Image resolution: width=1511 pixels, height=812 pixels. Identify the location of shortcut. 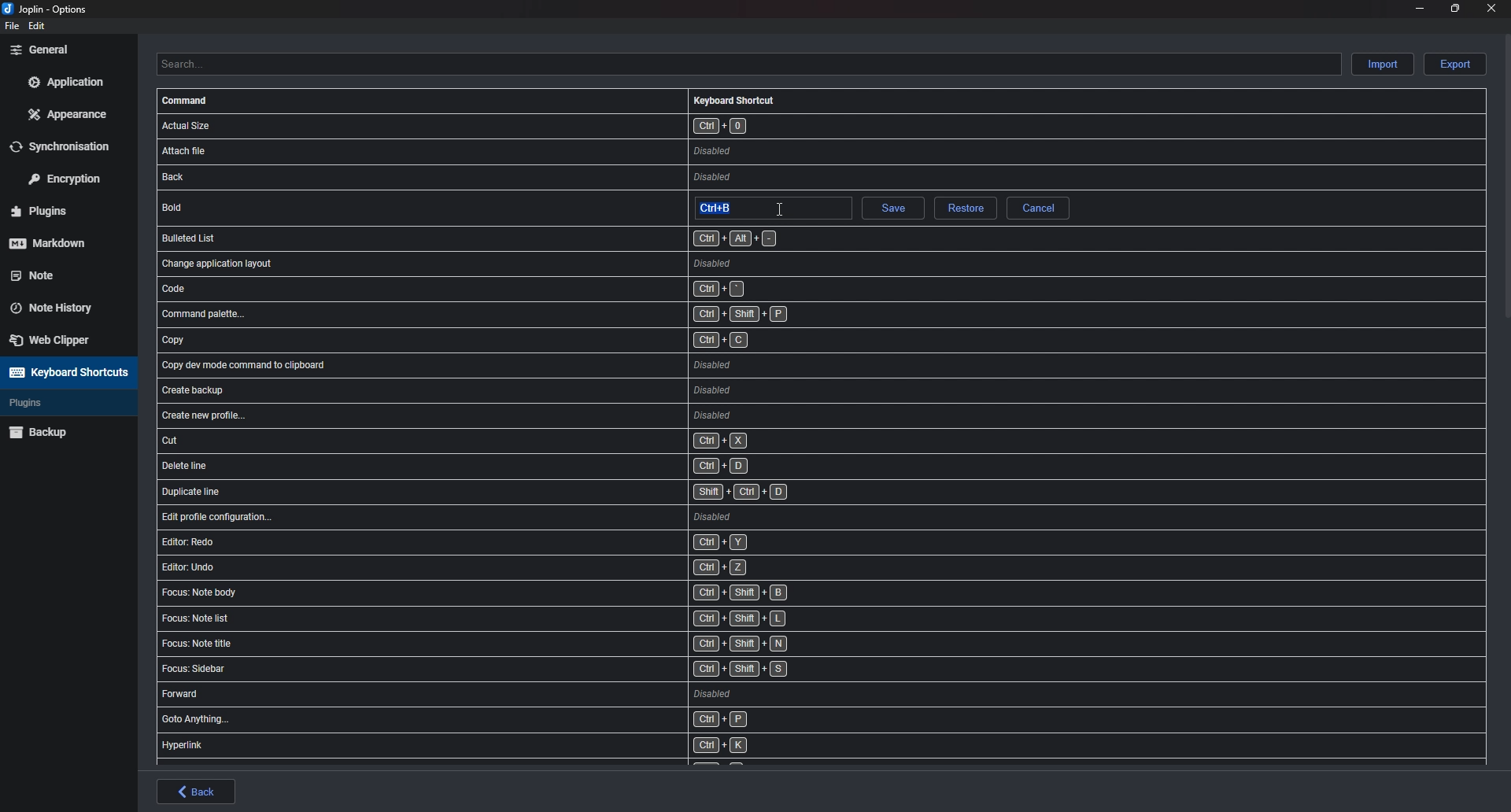
(520, 150).